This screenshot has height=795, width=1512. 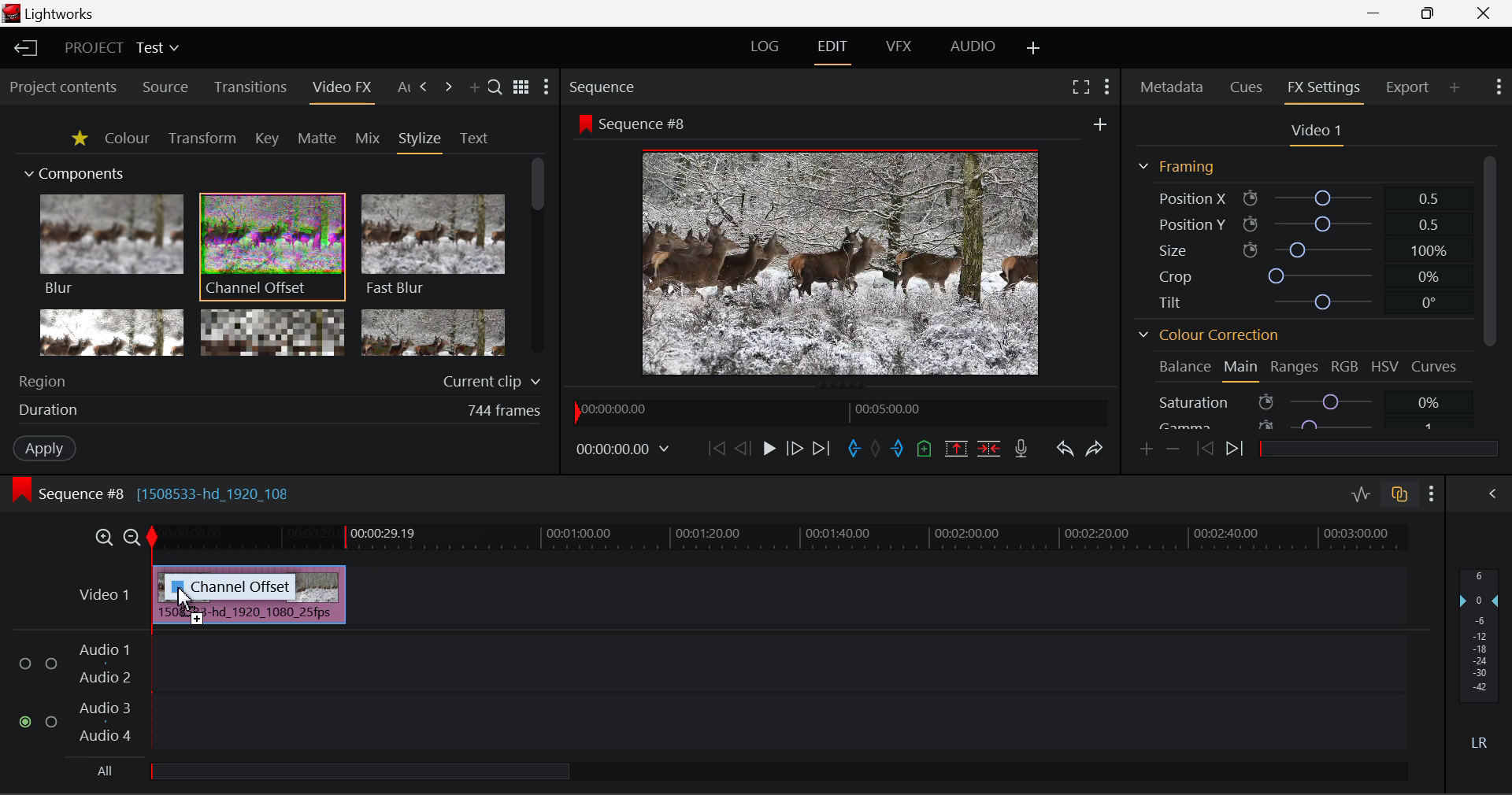 I want to click on Mark In, so click(x=854, y=449).